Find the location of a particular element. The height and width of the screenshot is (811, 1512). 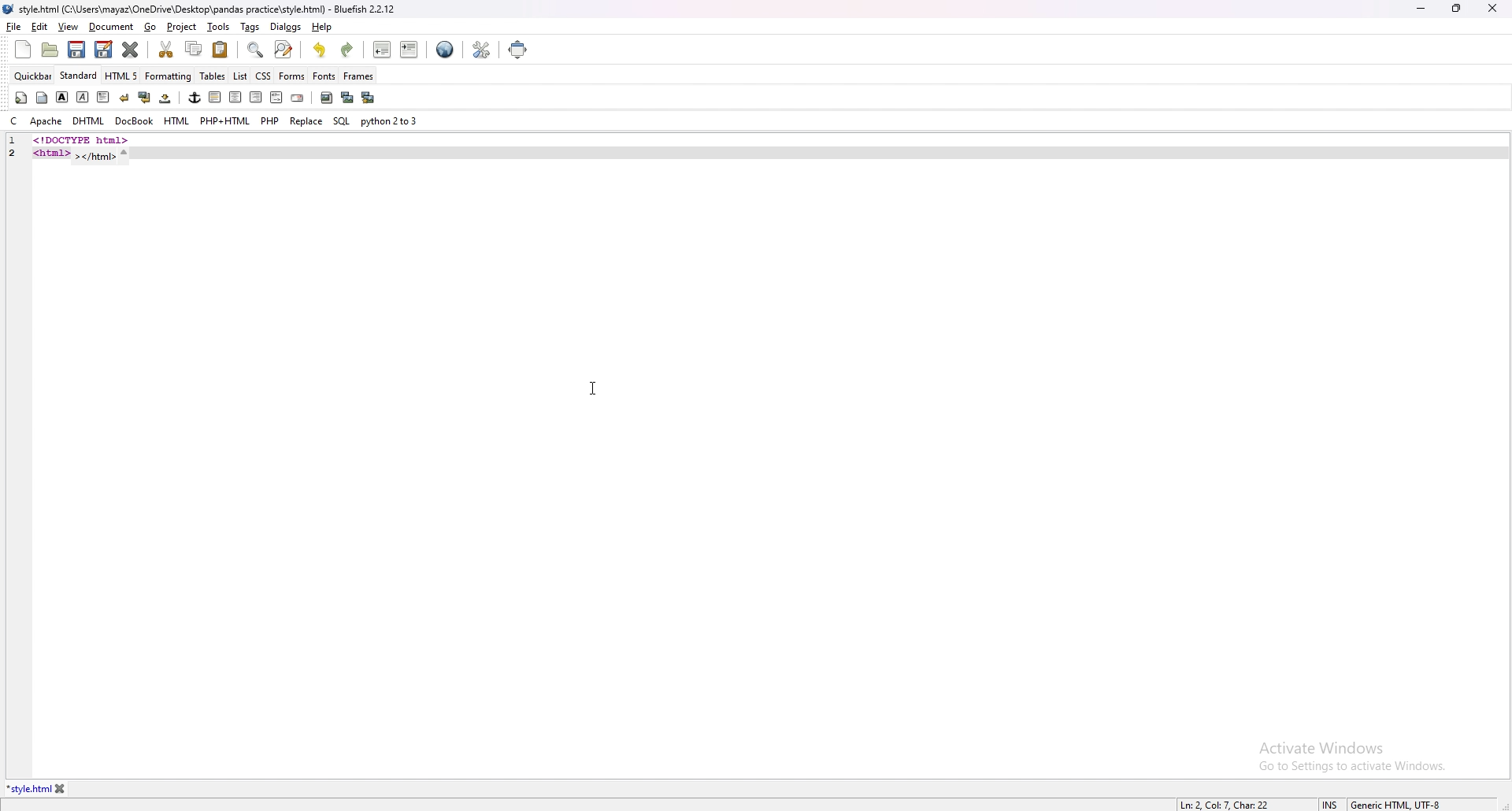

html 5 is located at coordinates (123, 76).